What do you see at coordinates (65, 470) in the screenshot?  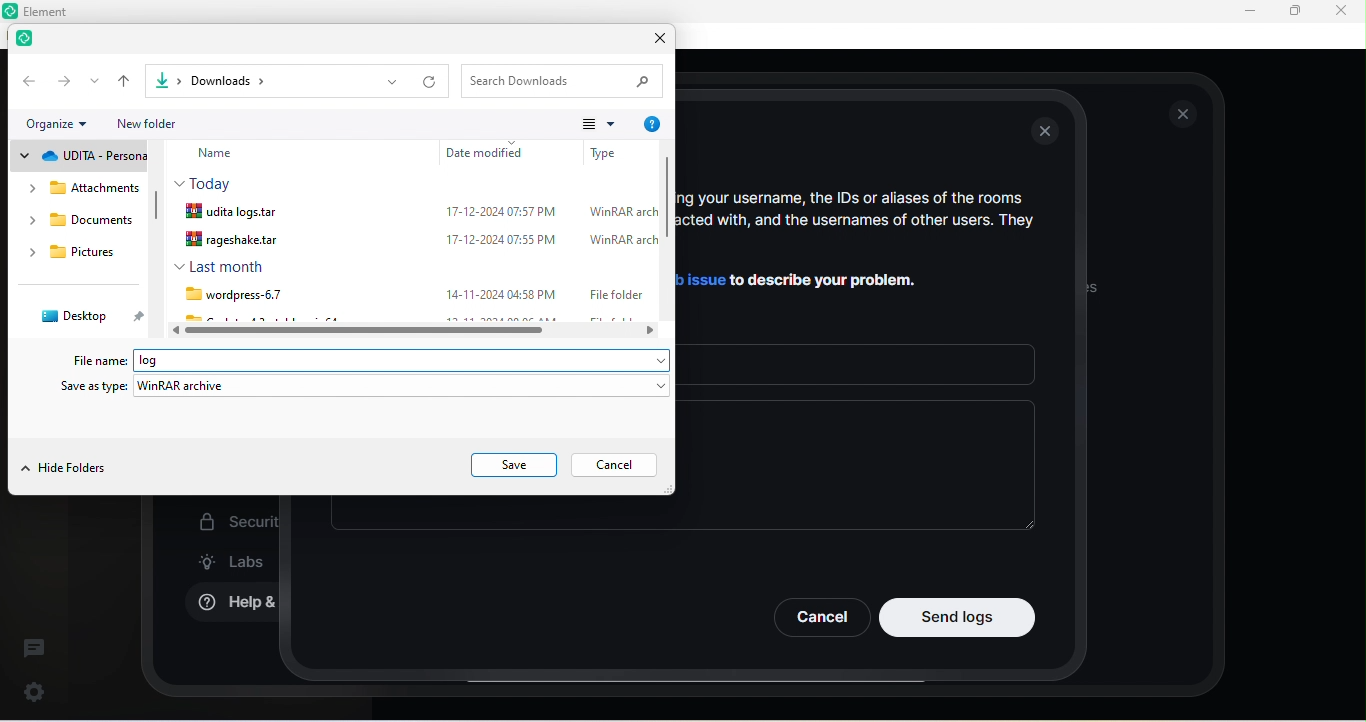 I see `hide folders` at bounding box center [65, 470].